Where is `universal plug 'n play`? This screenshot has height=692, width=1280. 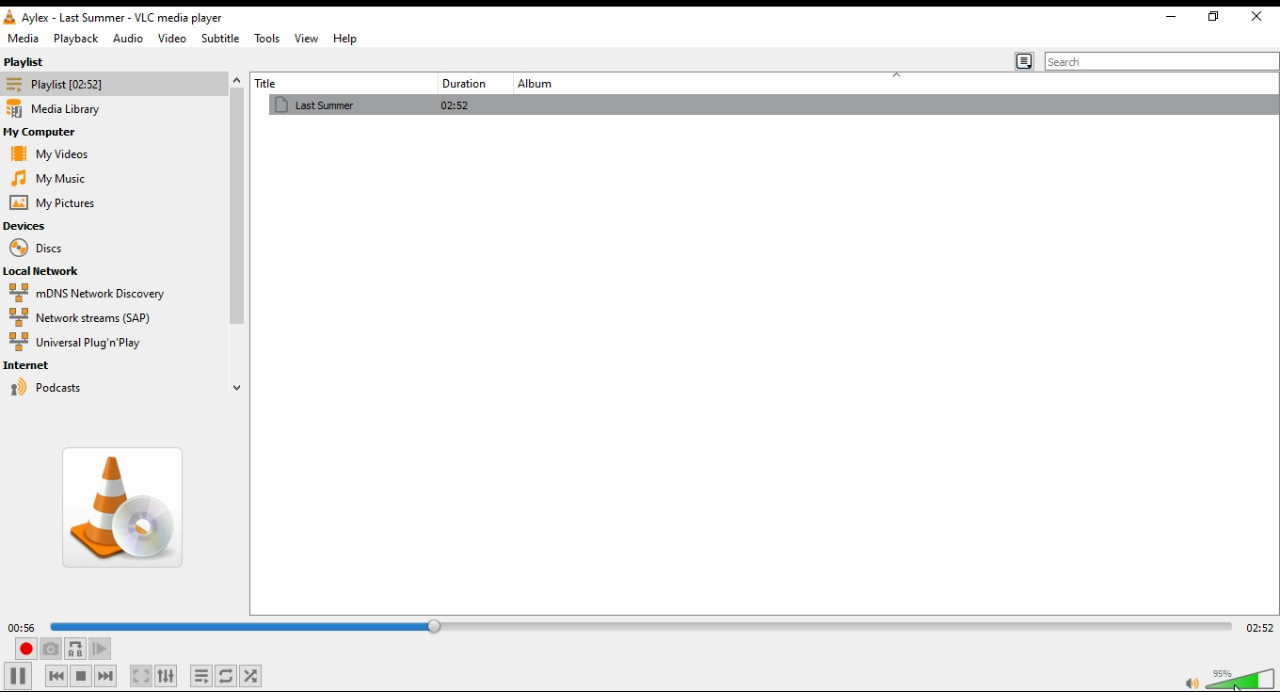
universal plug 'n play is located at coordinates (83, 344).